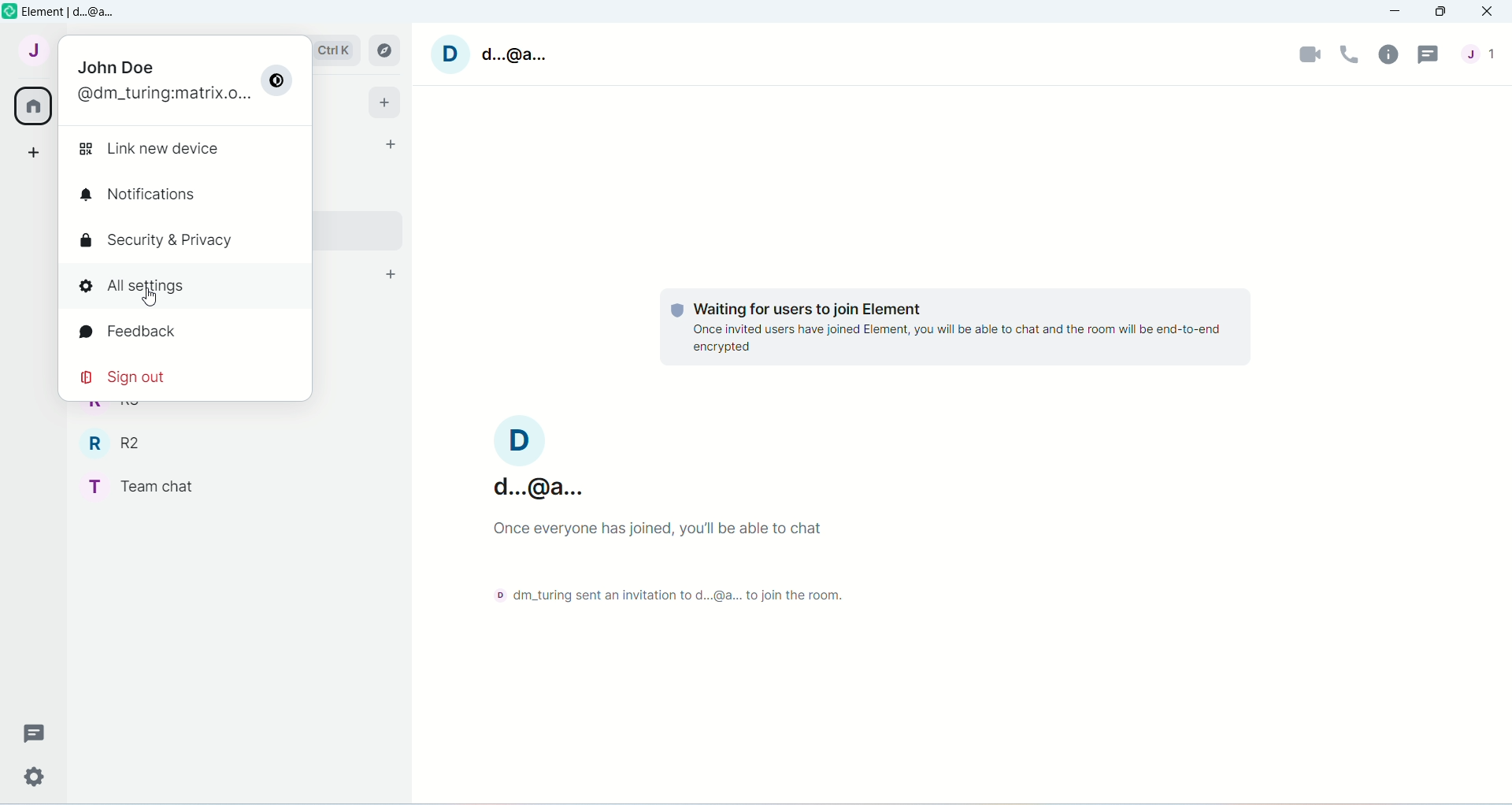 This screenshot has height=805, width=1512. Describe the element at coordinates (650, 601) in the screenshot. I see `dm_turing sent an invitation to d..@a to join the room` at that location.